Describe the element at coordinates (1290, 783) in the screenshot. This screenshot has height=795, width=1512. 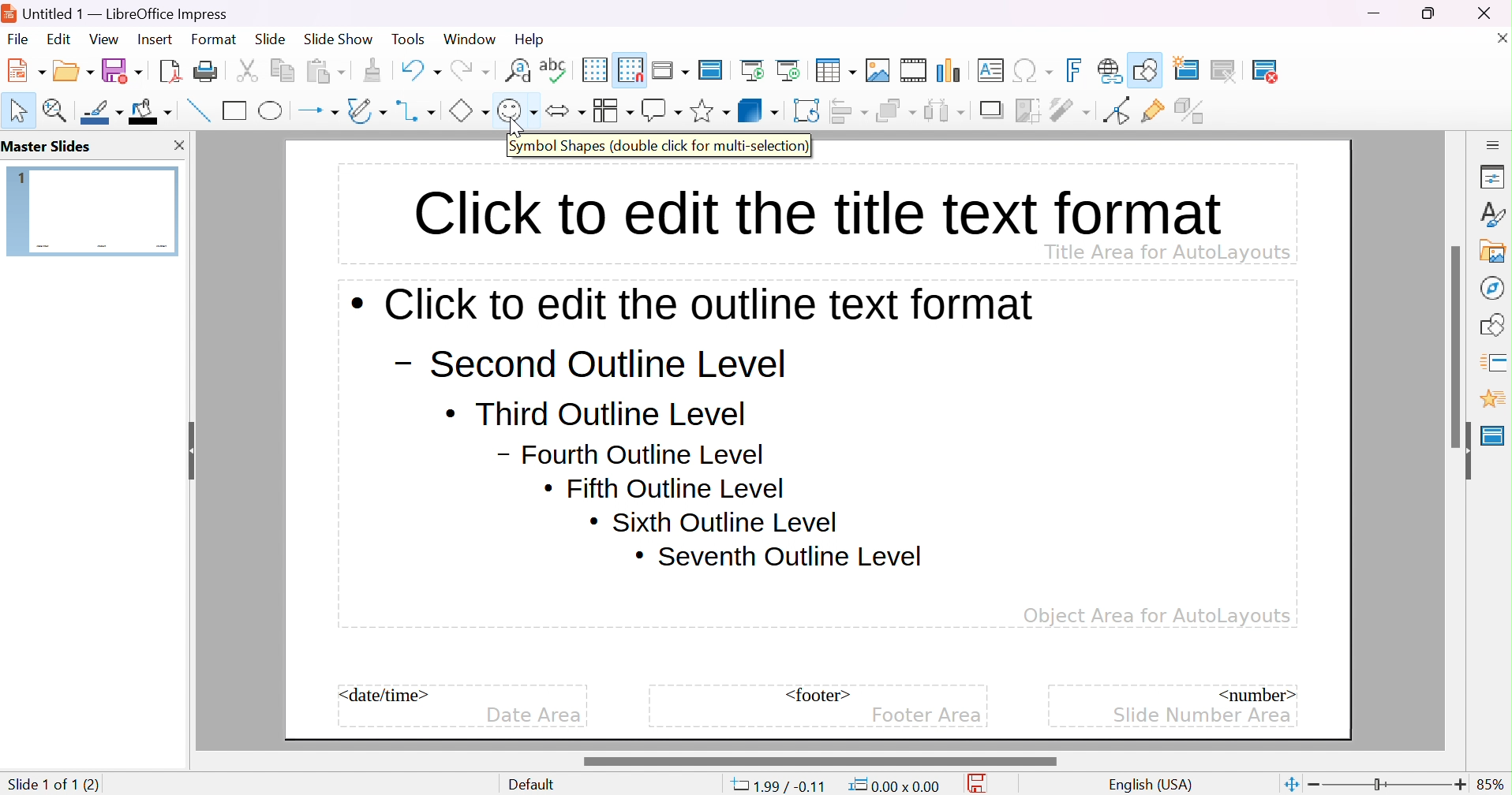
I see `fit slide to current window` at that location.